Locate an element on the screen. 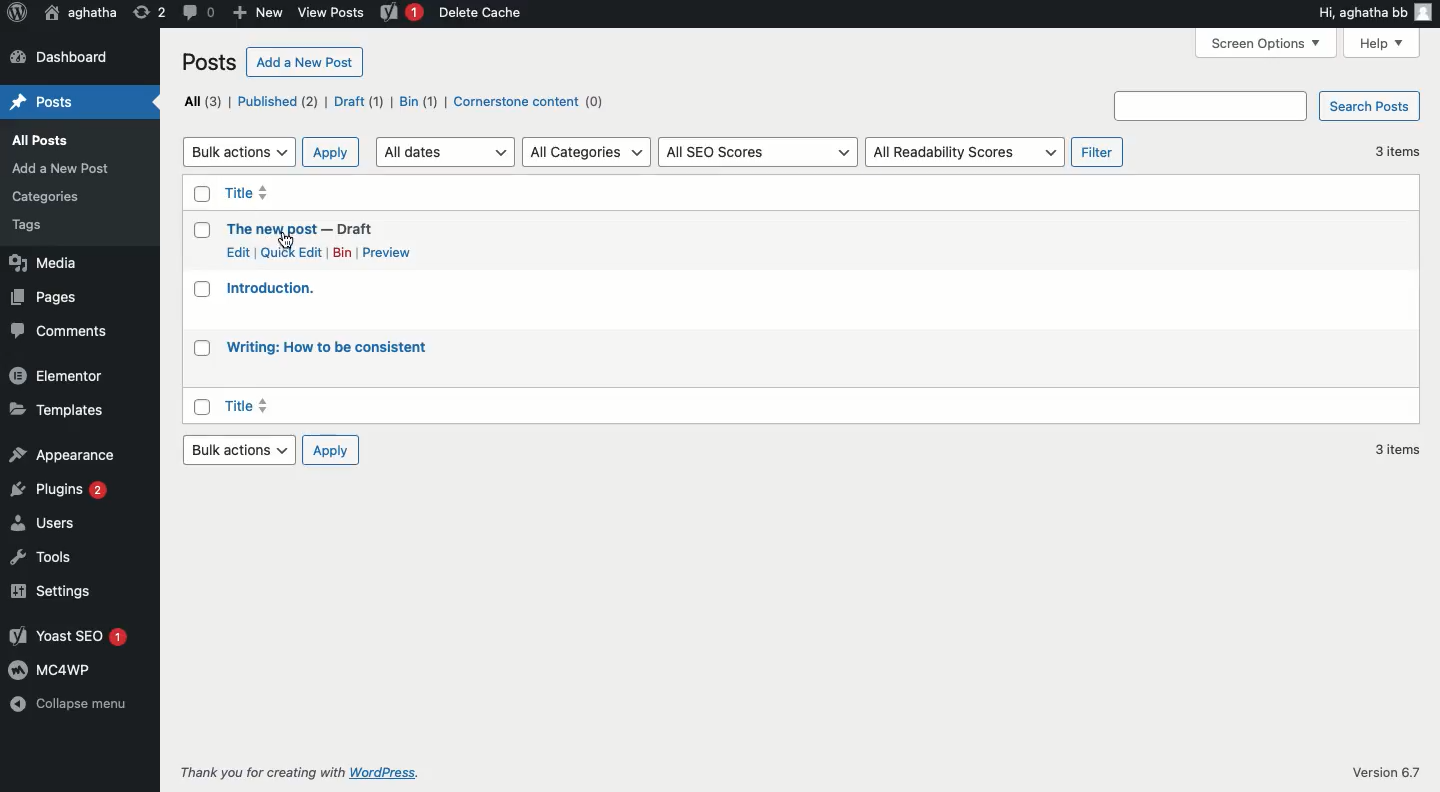 The image size is (1440, 792). Cornerstone content is located at coordinates (528, 102).